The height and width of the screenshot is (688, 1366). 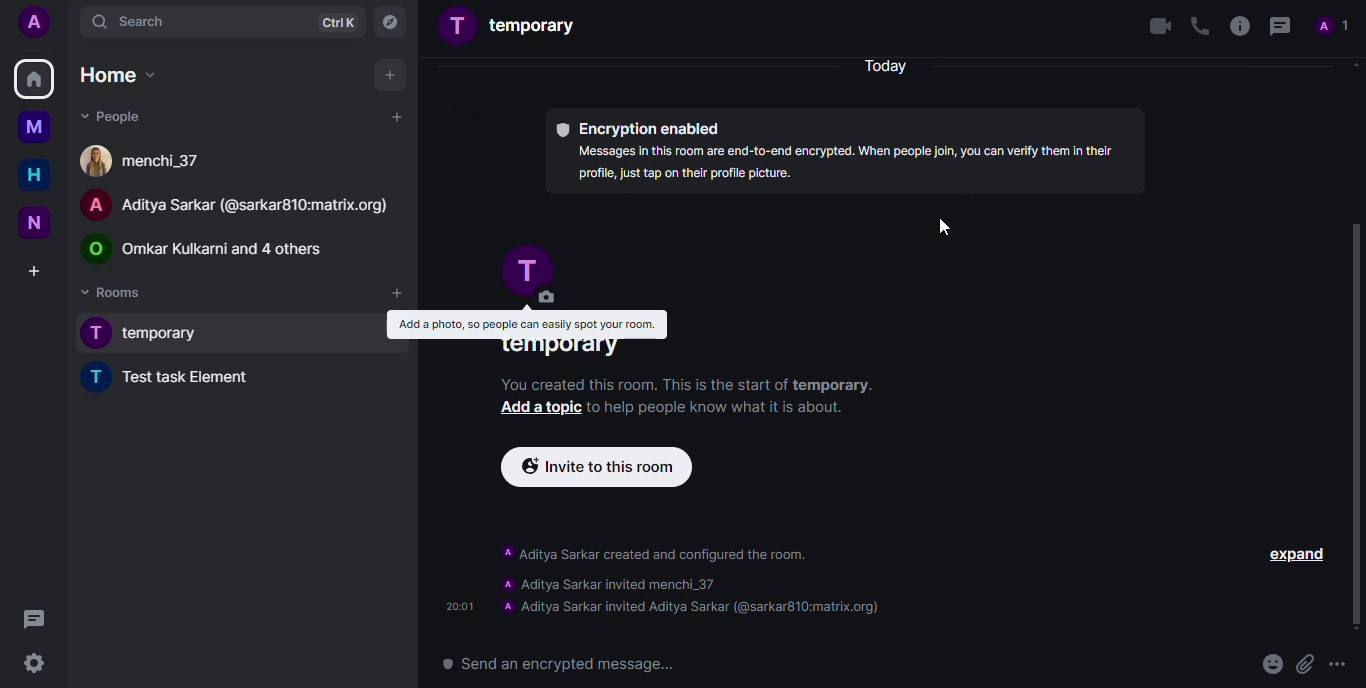 I want to click on home, so click(x=117, y=75).